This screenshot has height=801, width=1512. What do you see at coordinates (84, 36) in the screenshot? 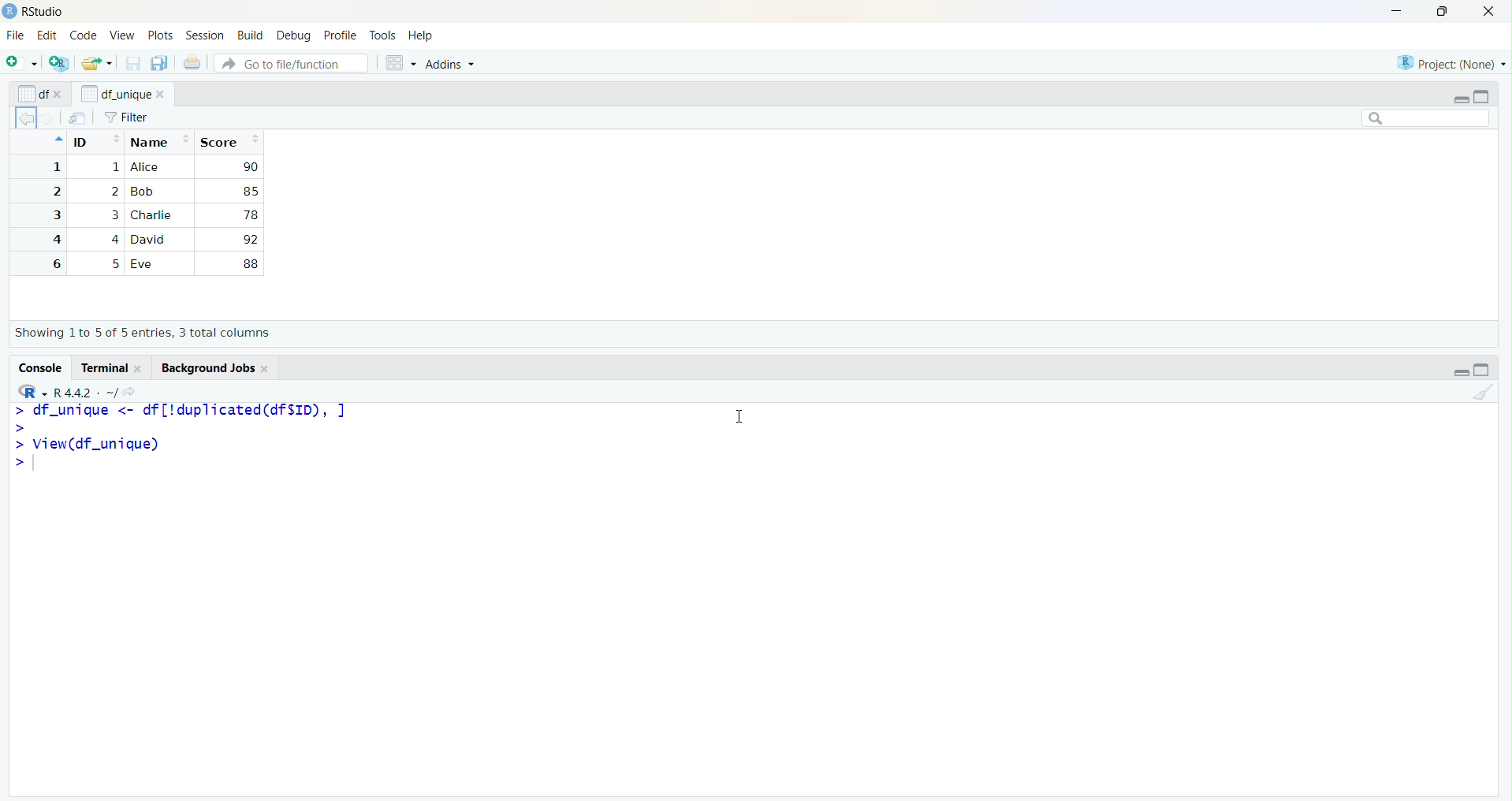
I see `Code` at bounding box center [84, 36].